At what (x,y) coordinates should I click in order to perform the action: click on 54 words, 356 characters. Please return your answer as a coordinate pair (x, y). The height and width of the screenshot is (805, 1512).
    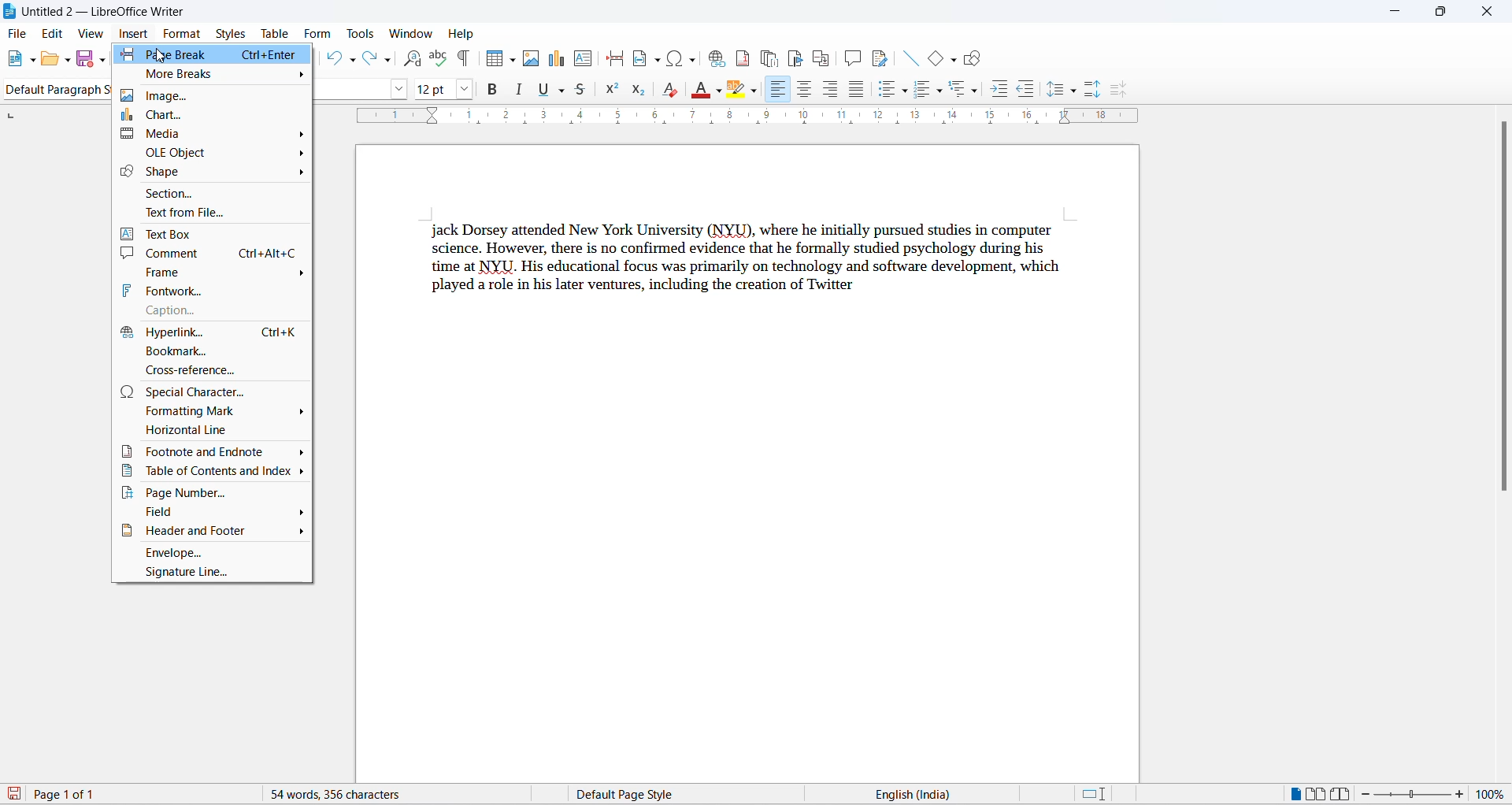
    Looking at the image, I should click on (379, 795).